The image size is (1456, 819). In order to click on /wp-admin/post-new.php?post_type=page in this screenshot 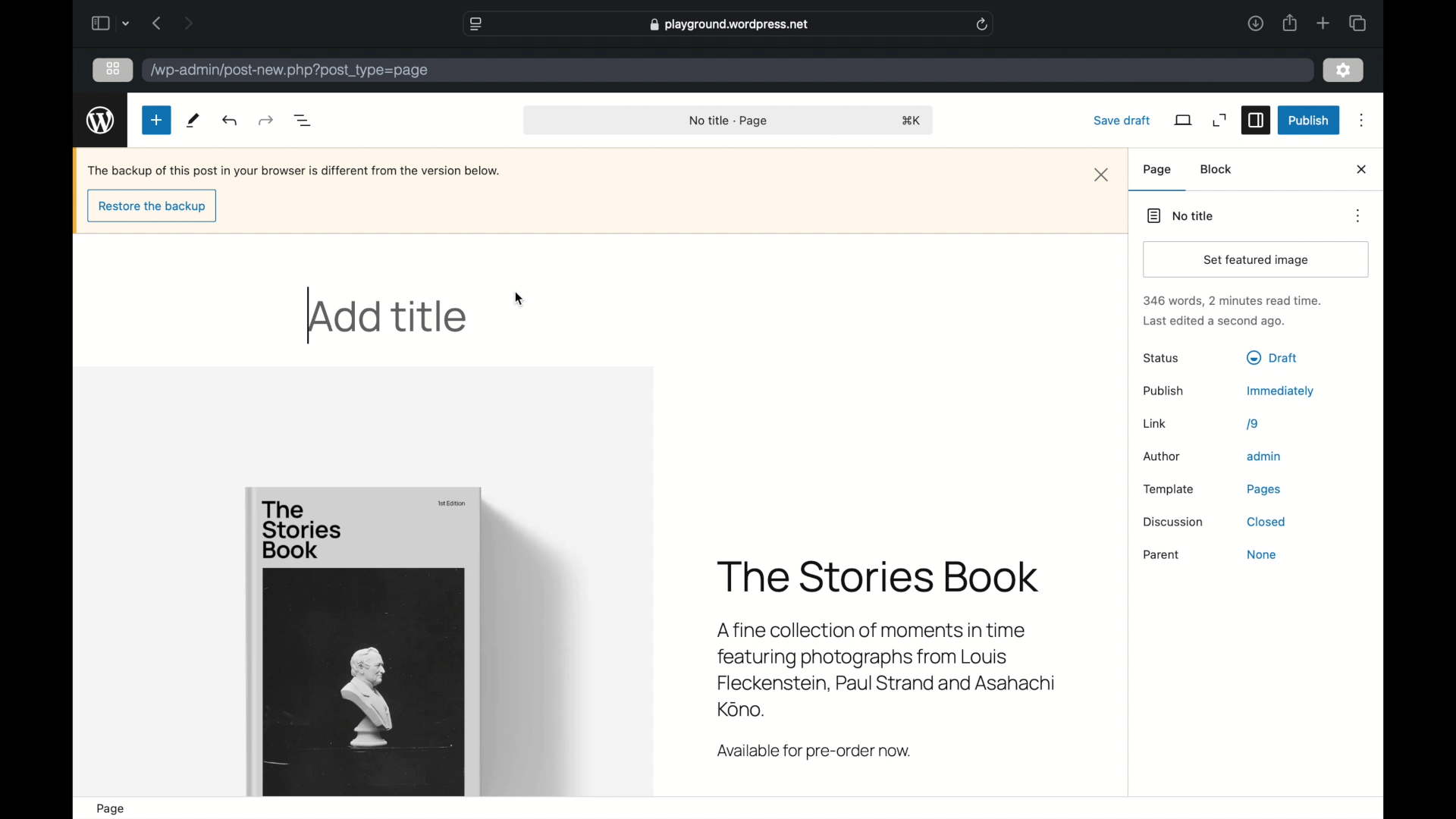, I will do `click(292, 71)`.